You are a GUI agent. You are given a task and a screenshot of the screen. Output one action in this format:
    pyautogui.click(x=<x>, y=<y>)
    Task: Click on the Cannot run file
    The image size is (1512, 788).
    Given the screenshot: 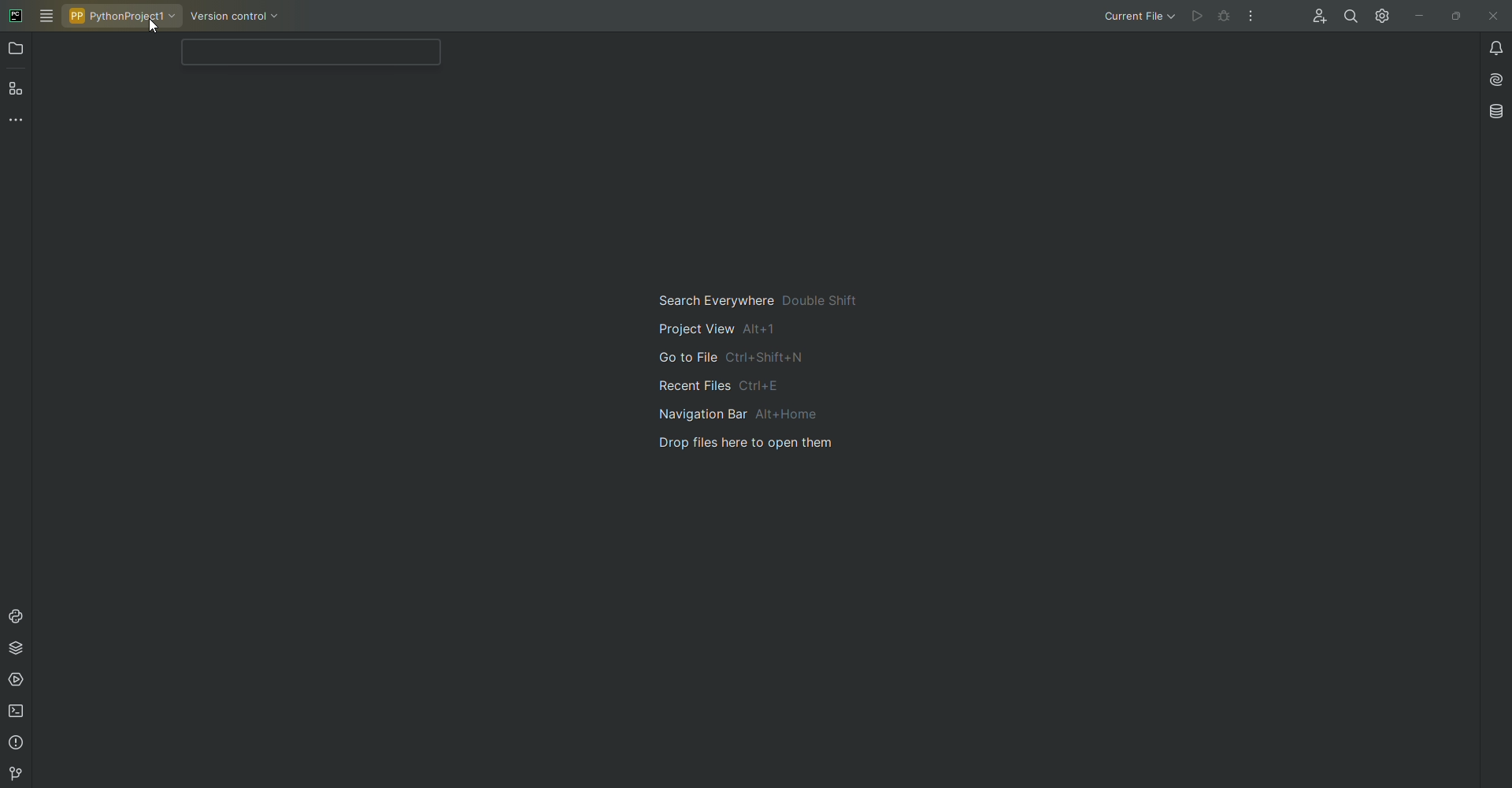 What is the action you would take?
    pyautogui.click(x=1199, y=17)
    